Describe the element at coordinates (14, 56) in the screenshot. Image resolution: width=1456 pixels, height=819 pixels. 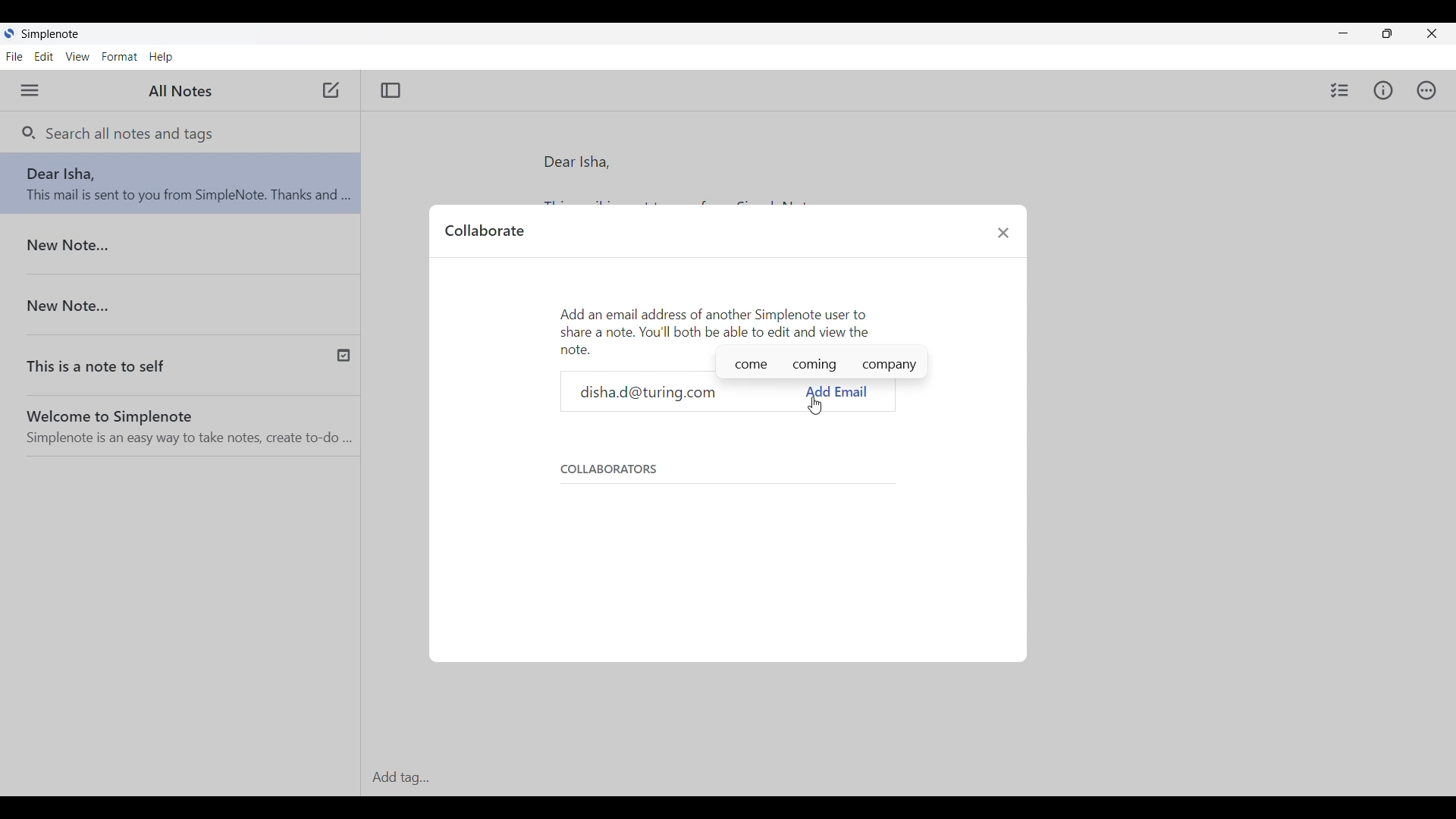
I see `File` at that location.